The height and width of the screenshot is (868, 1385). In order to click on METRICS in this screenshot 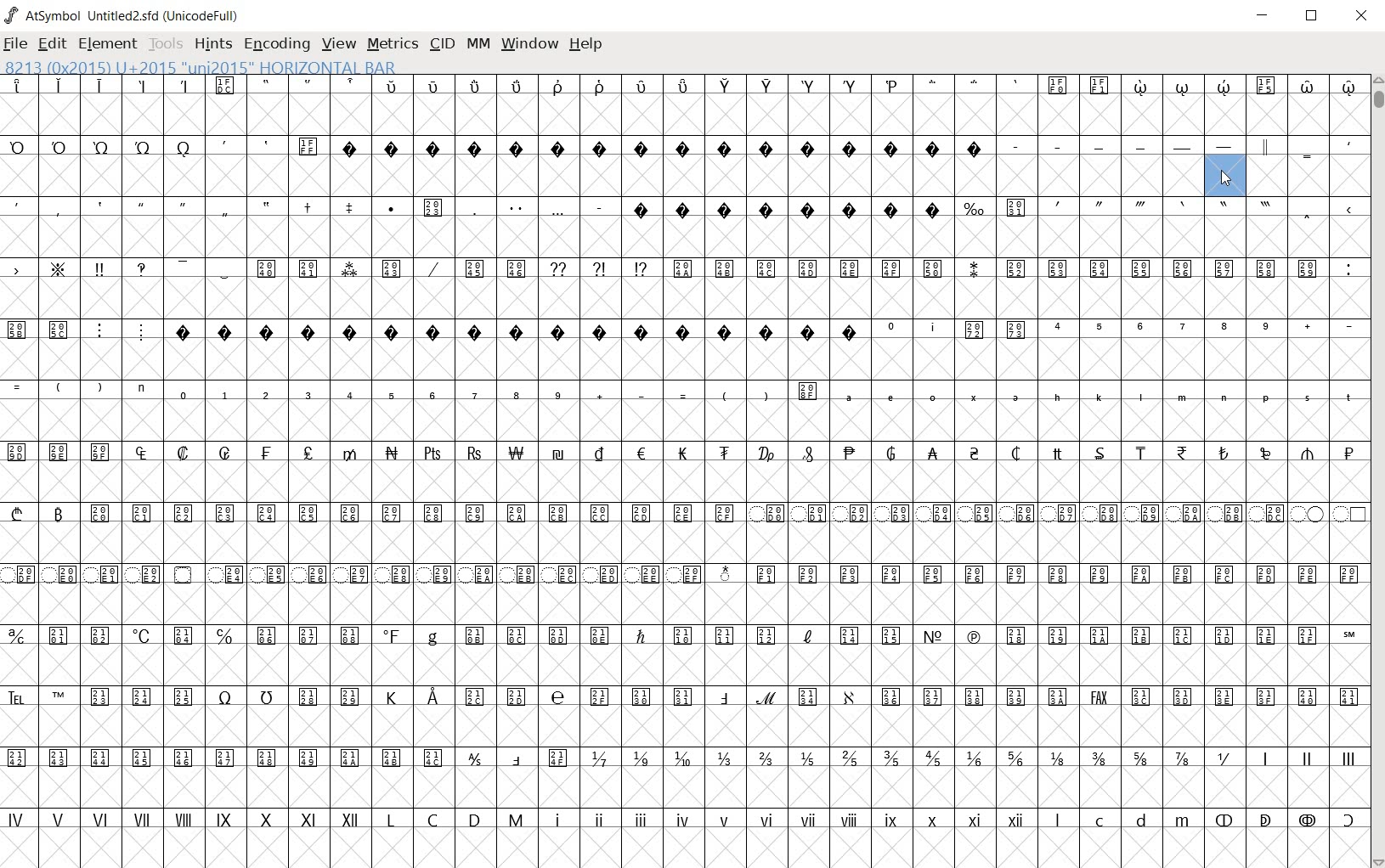, I will do `click(395, 45)`.